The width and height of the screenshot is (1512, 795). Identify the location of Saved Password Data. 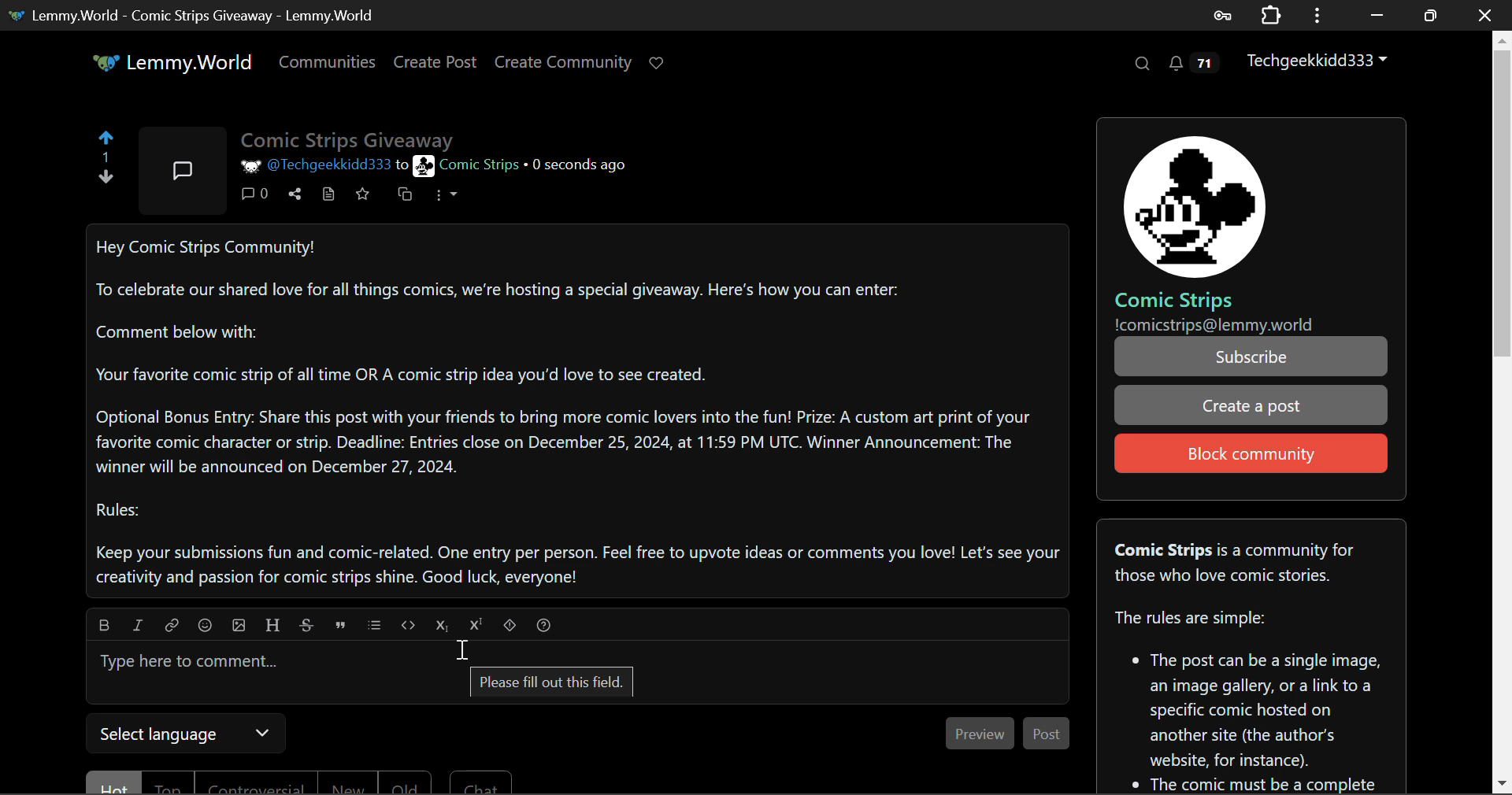
(1221, 15).